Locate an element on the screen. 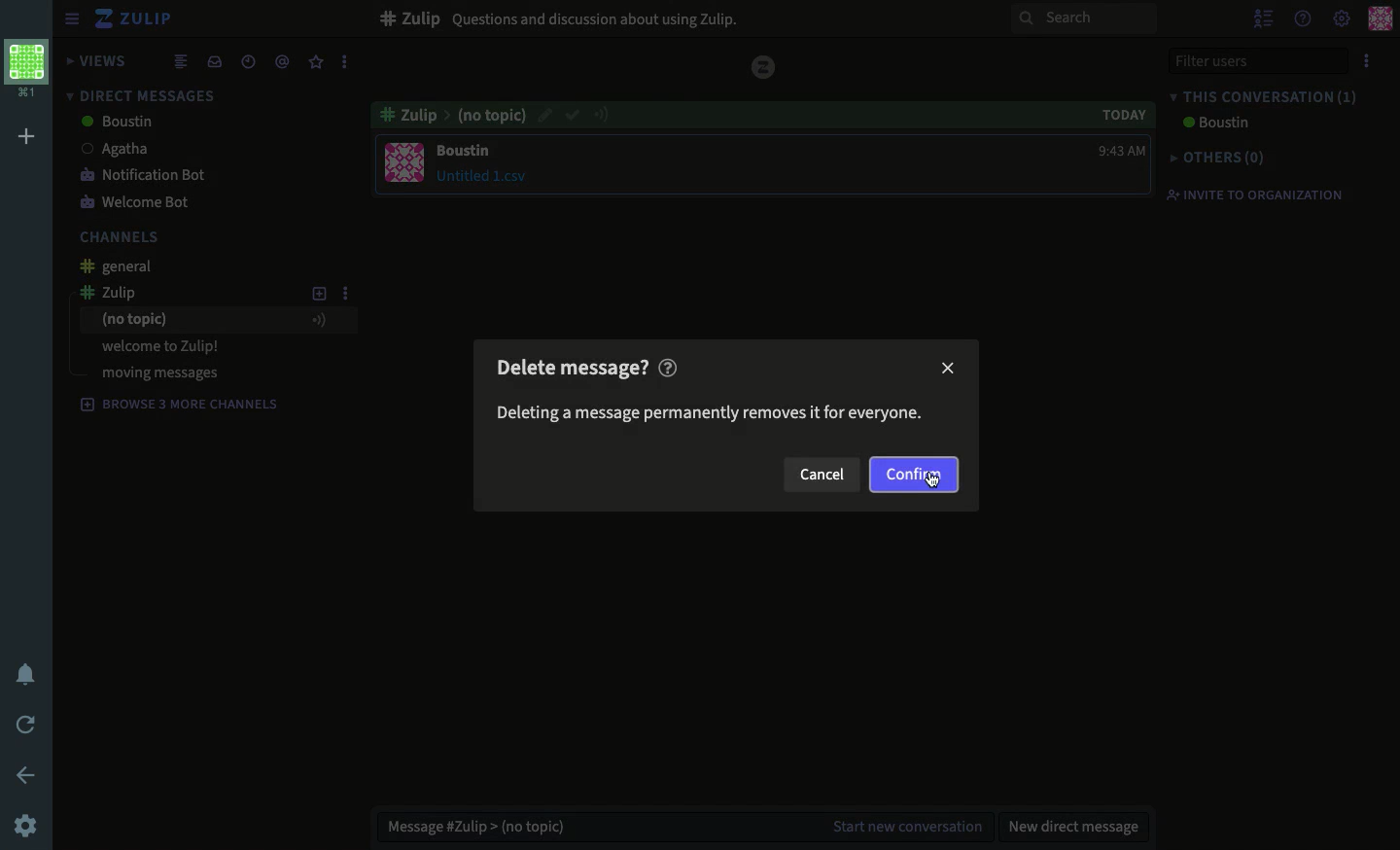 This screenshot has height=850, width=1400. options is located at coordinates (345, 297).